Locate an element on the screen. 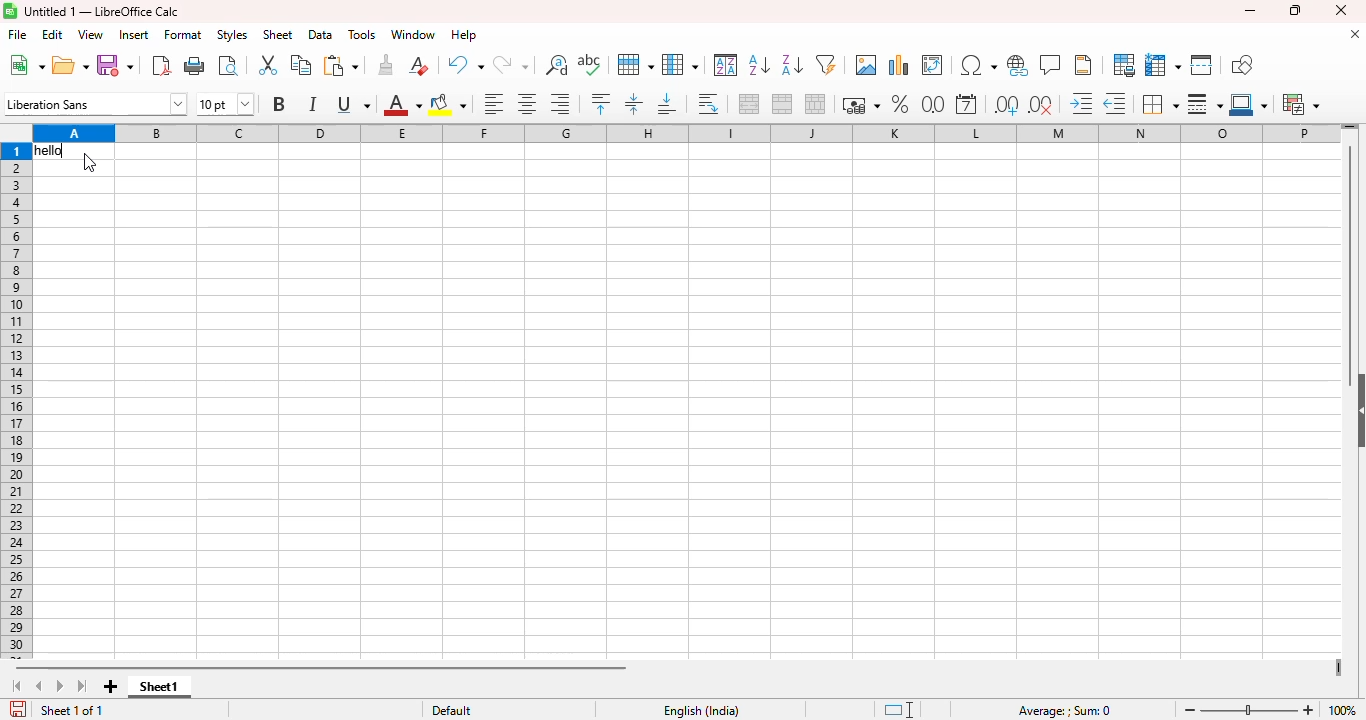  split window is located at coordinates (1202, 65).